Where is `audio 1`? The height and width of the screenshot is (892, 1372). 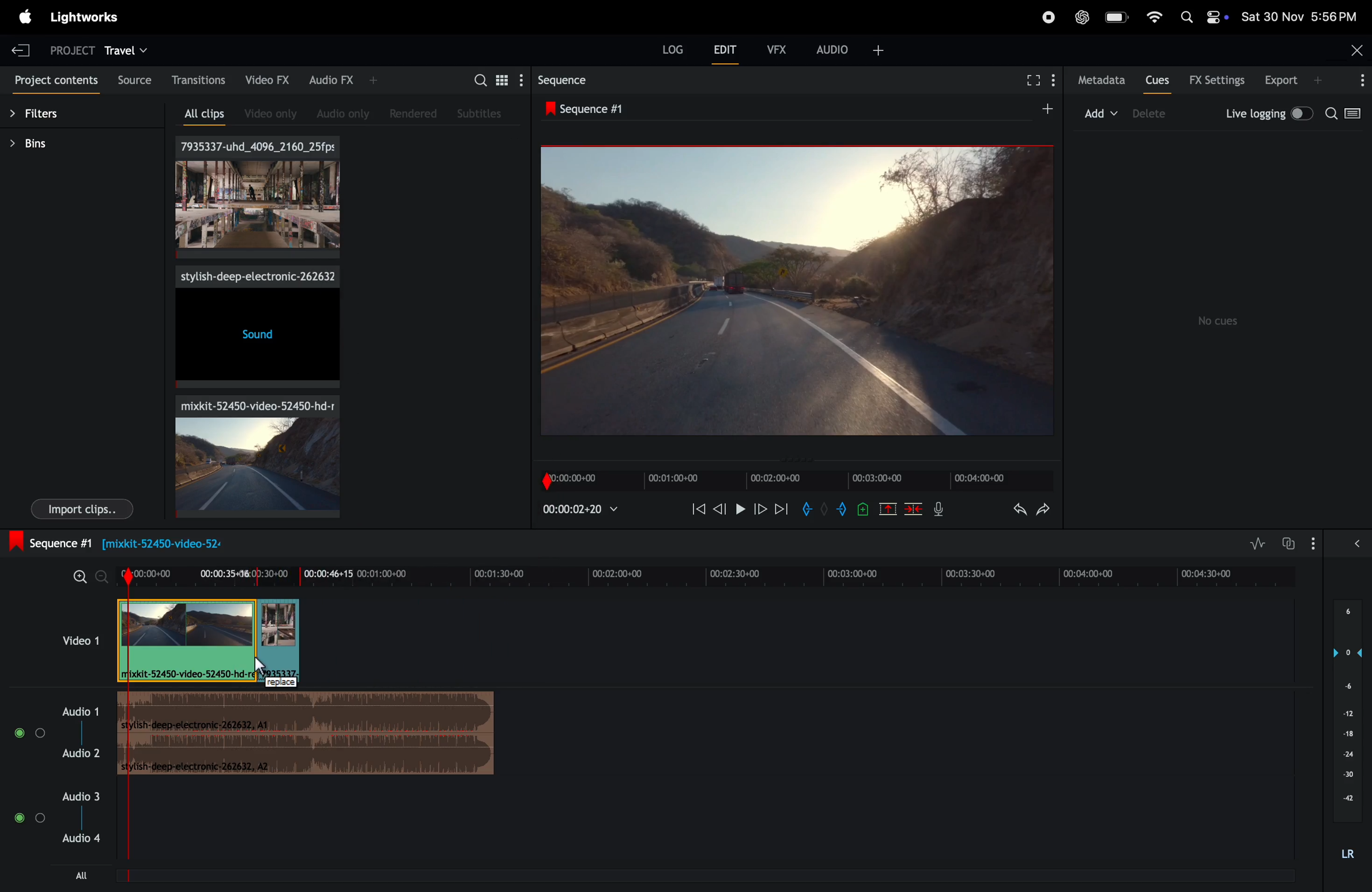 audio 1 is located at coordinates (54, 731).